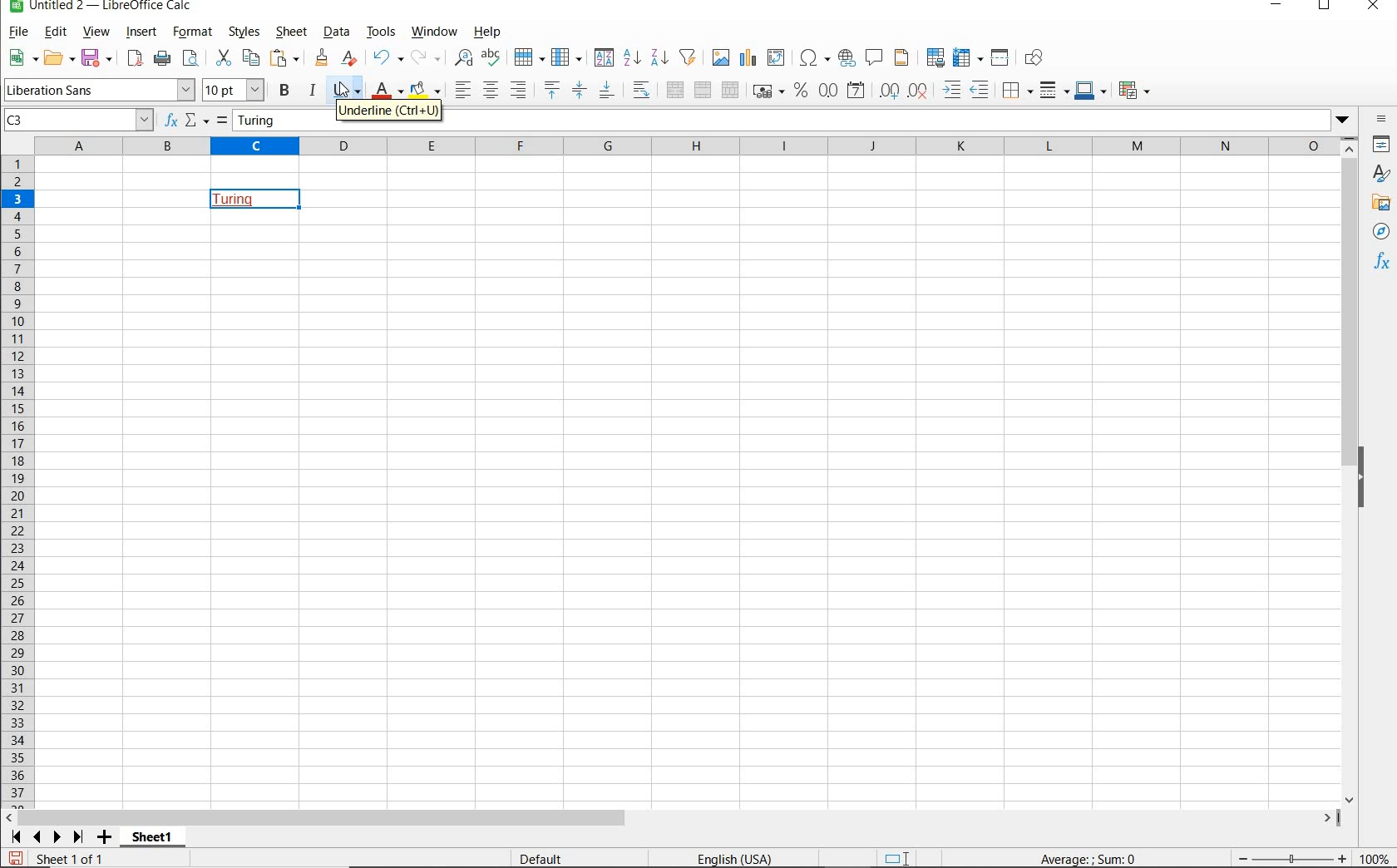 The height and width of the screenshot is (868, 1397). I want to click on SHOW DRAW FUNCTIONS, so click(1033, 58).